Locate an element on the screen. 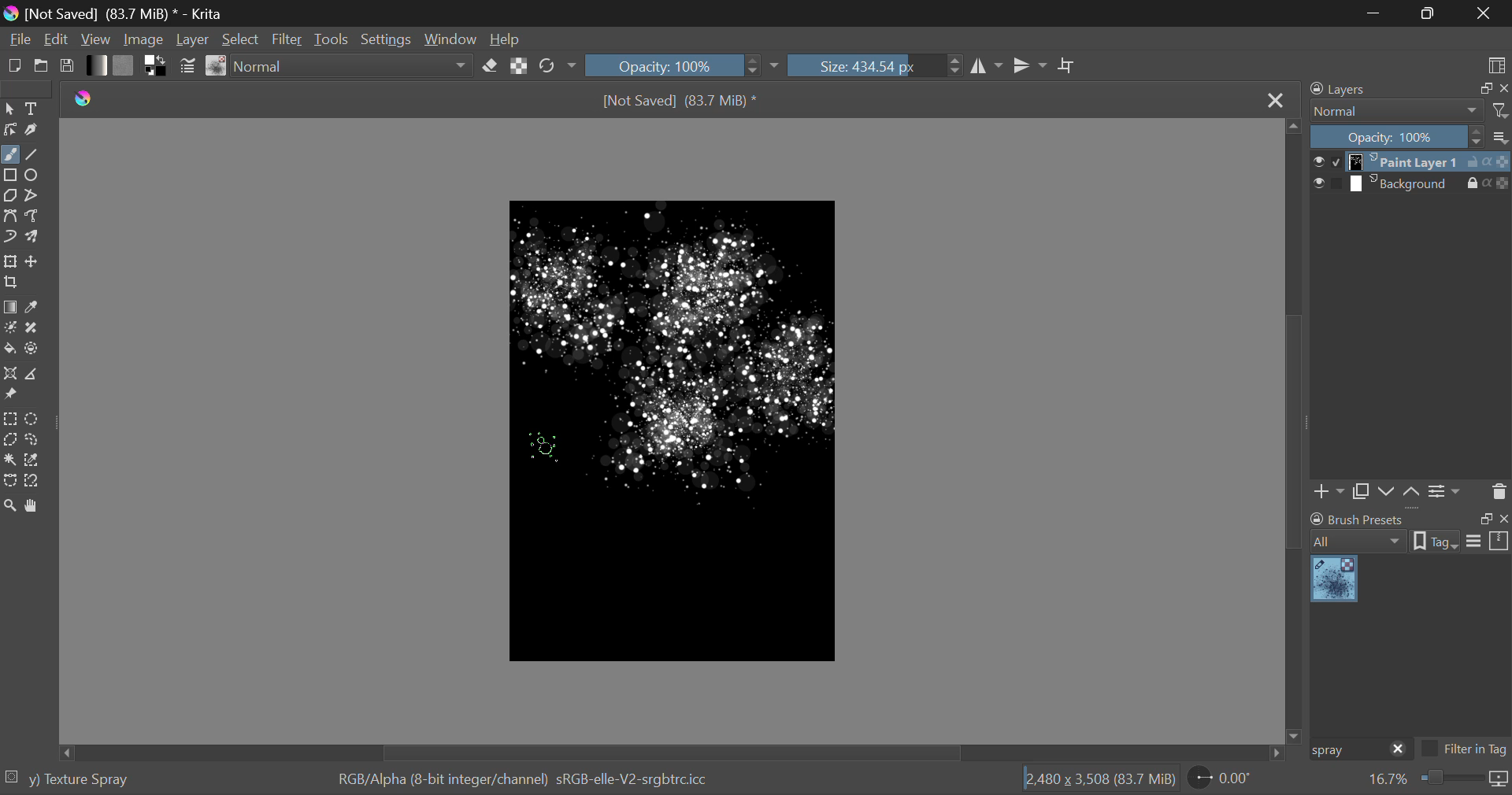 This screenshot has height=795, width=1512. Crop Layer is located at coordinates (13, 283).